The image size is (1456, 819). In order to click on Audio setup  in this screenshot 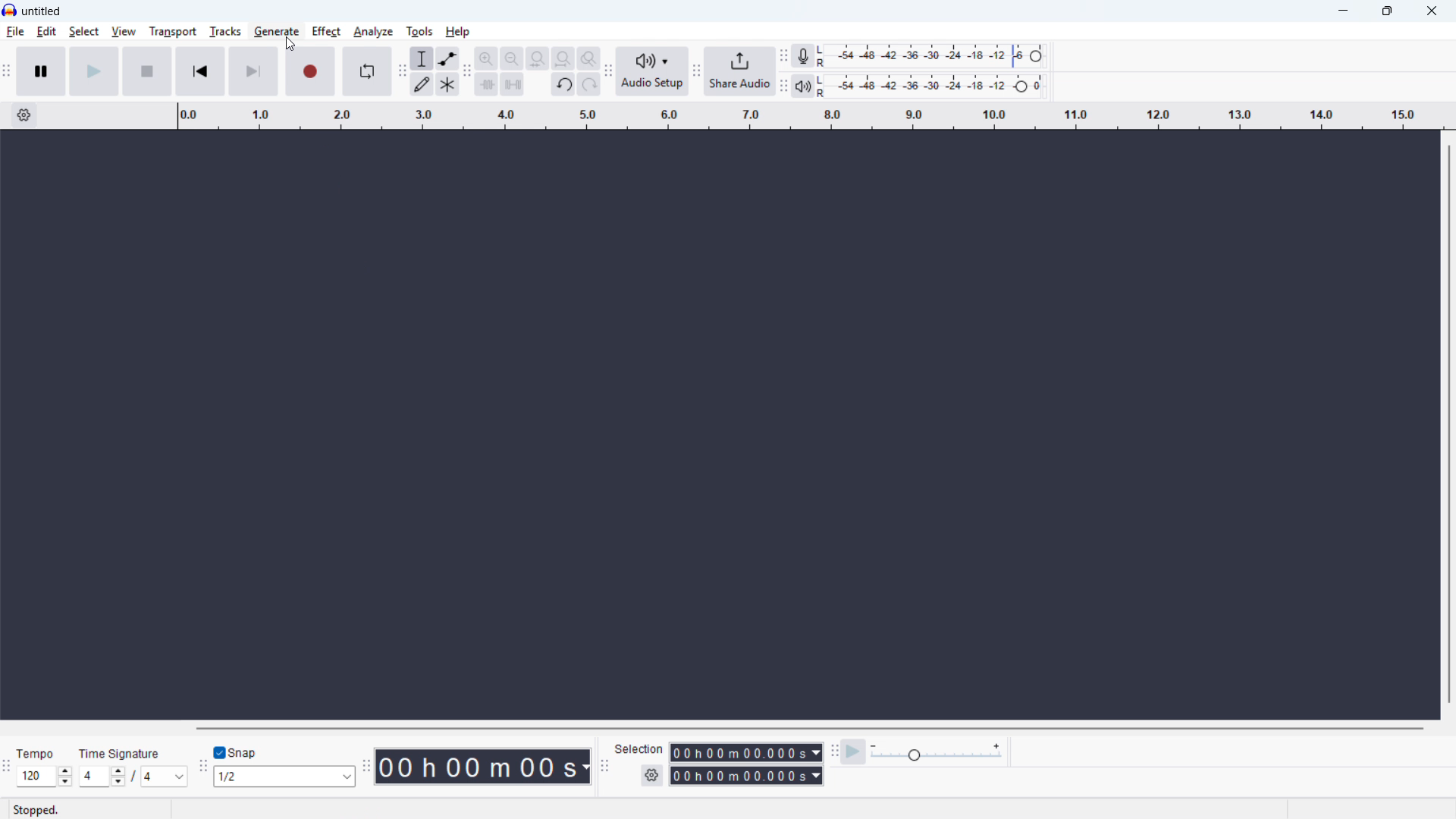, I will do `click(654, 71)`.